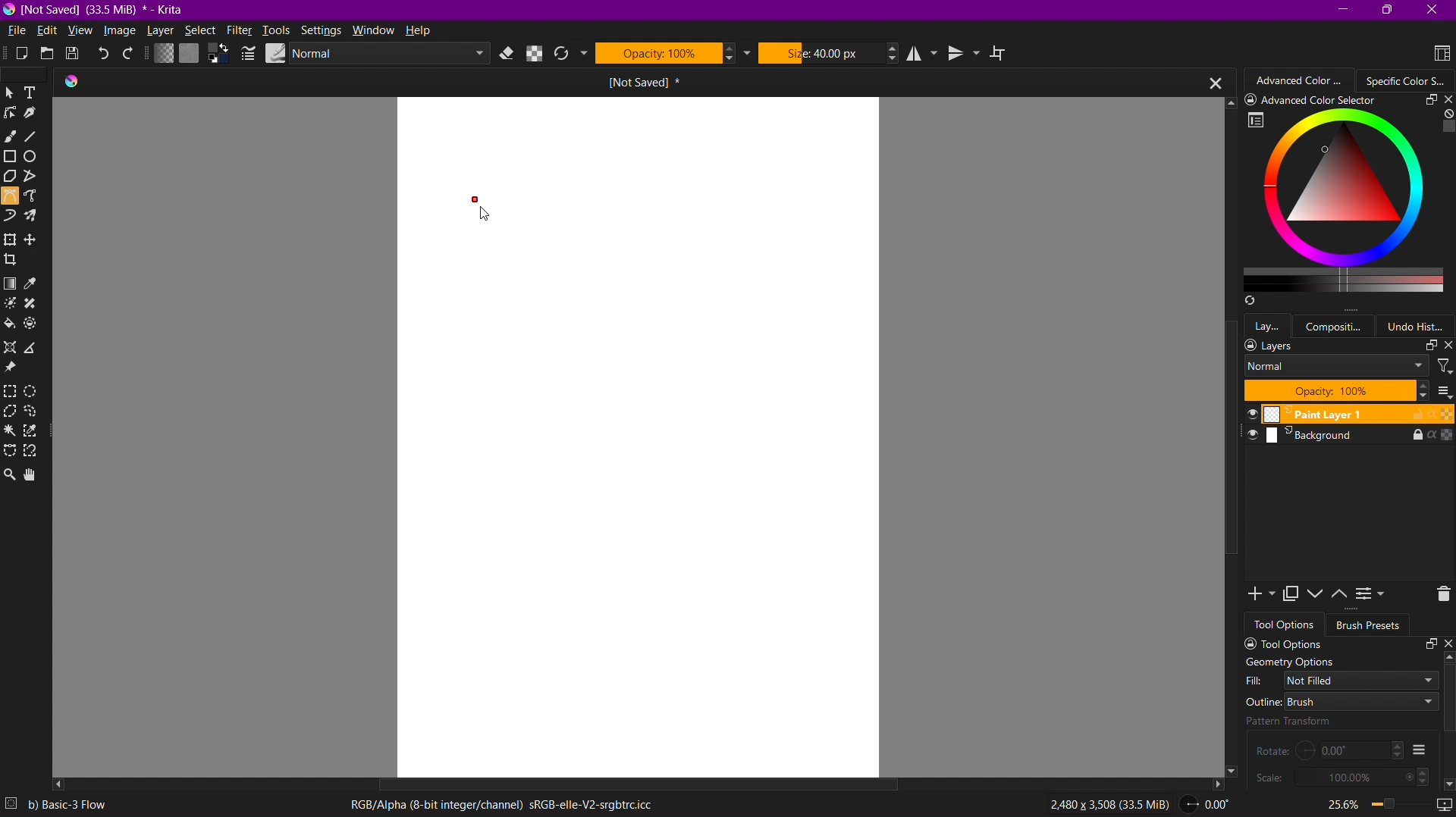 This screenshot has width=1456, height=817. What do you see at coordinates (36, 305) in the screenshot?
I see `Smart Patch Tool` at bounding box center [36, 305].